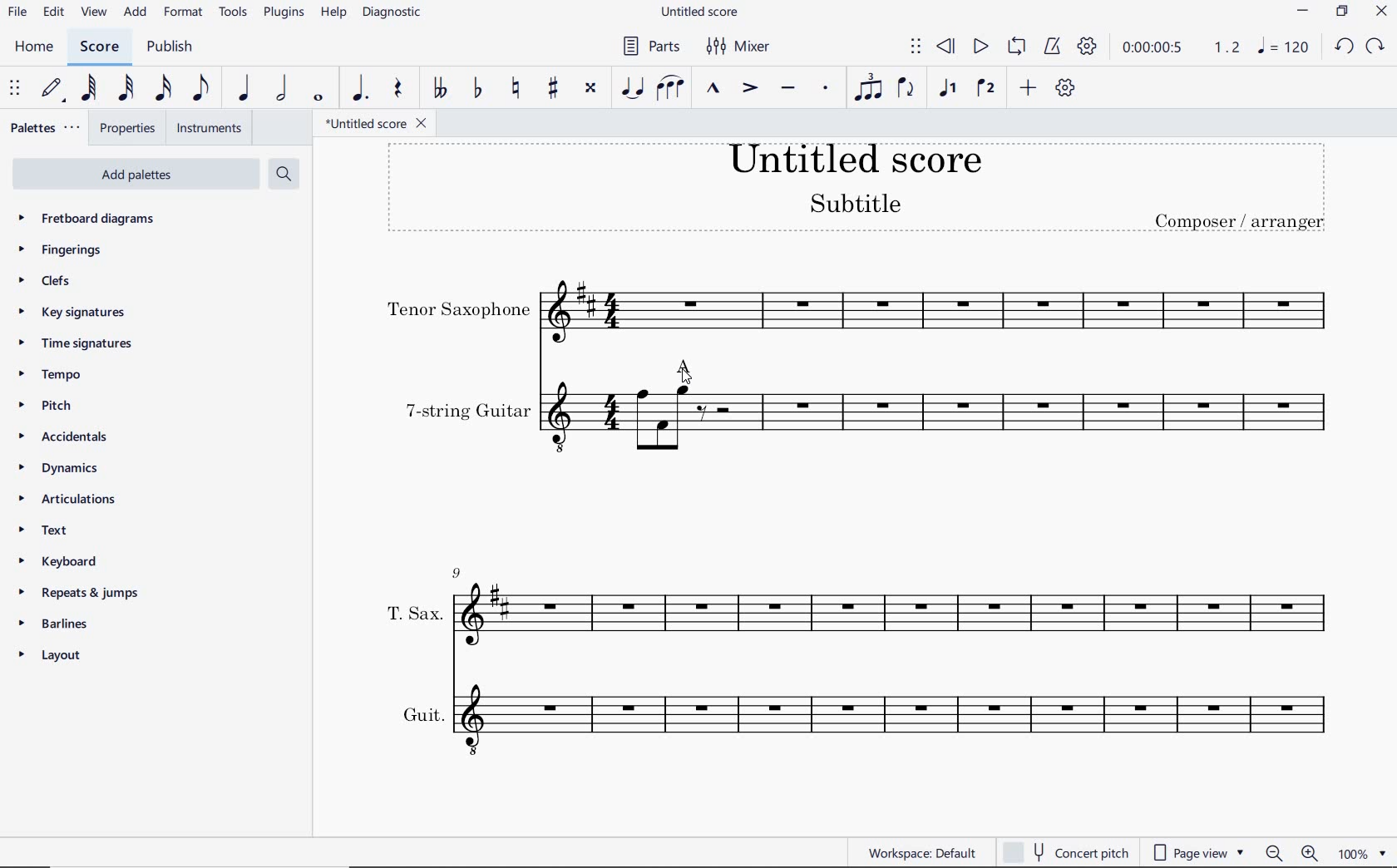 The image size is (1397, 868). What do you see at coordinates (136, 172) in the screenshot?
I see `ADD PALETTES` at bounding box center [136, 172].